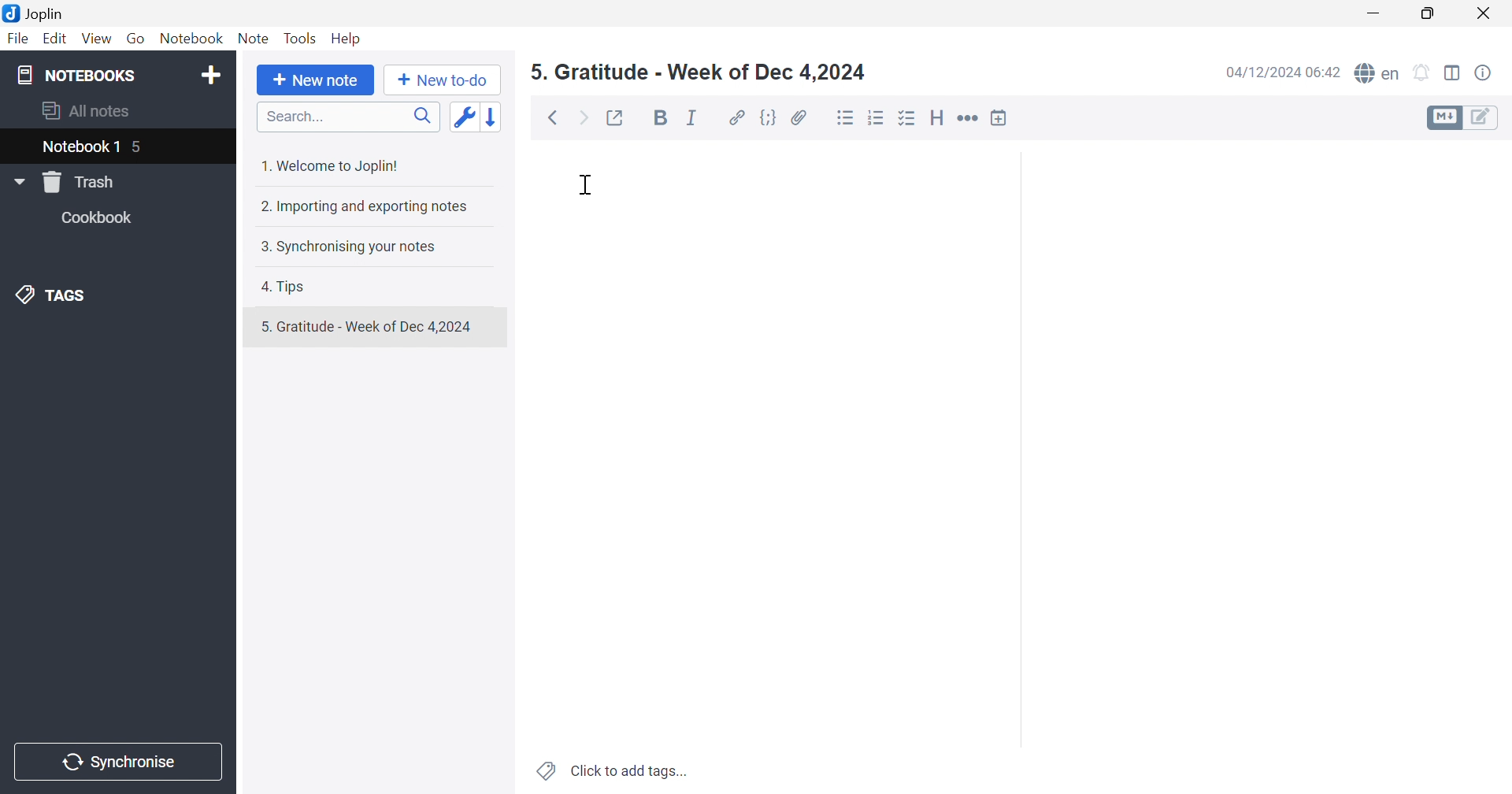 This screenshot has width=1512, height=794. I want to click on Restore Down, so click(1430, 15).